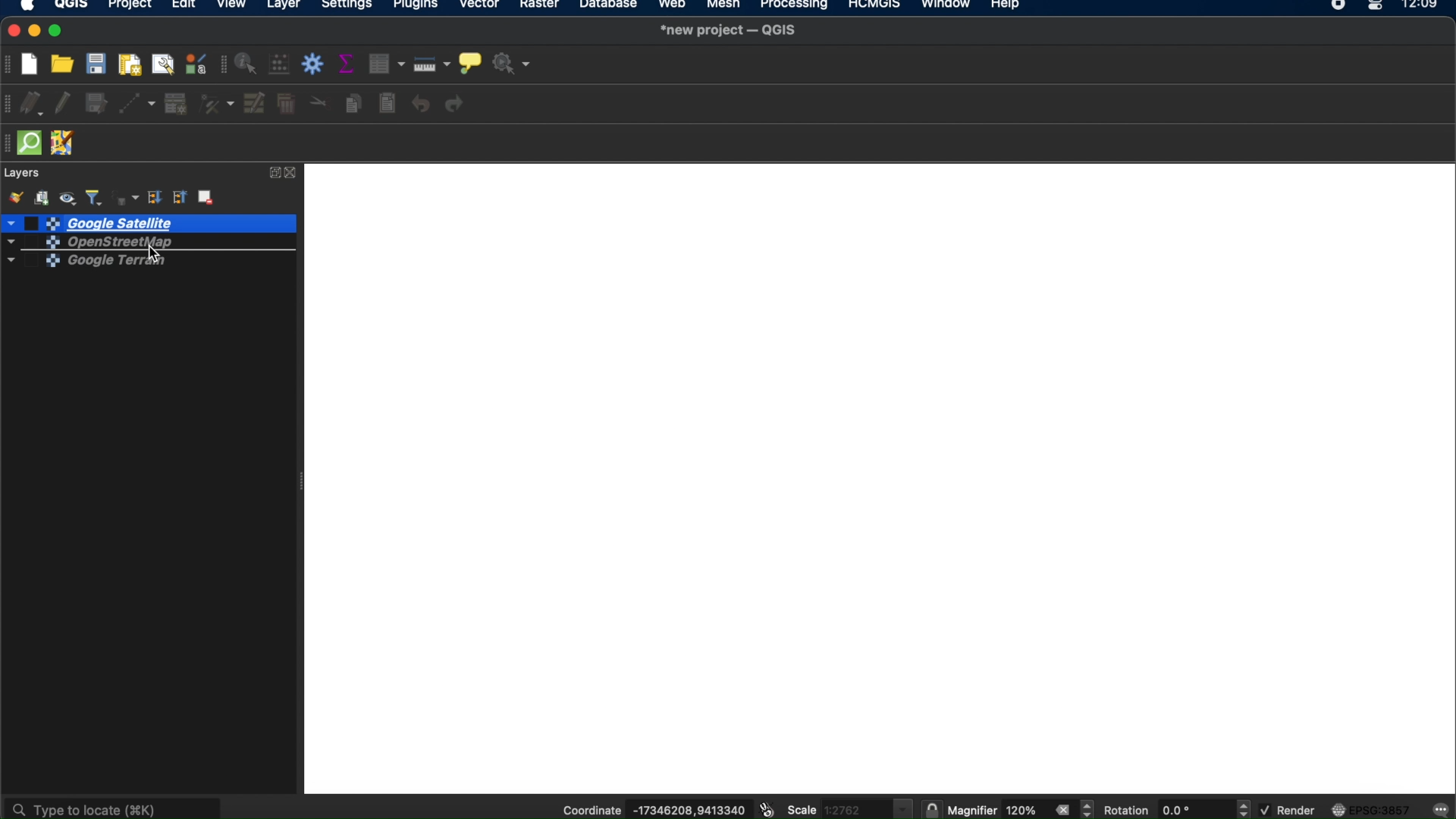 This screenshot has height=819, width=1456. I want to click on view, so click(233, 6).